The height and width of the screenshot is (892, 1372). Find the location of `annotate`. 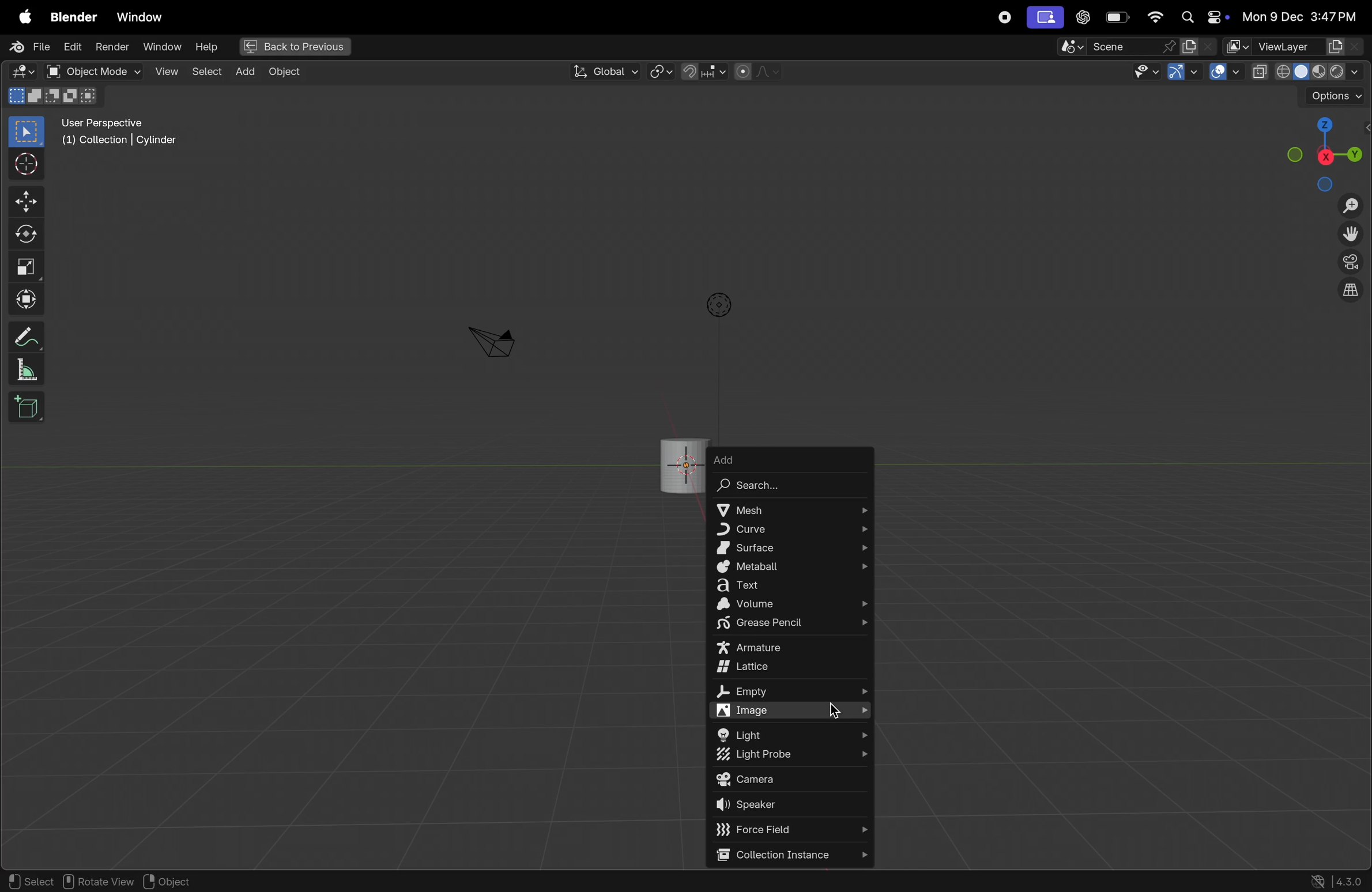

annotate is located at coordinates (24, 337).